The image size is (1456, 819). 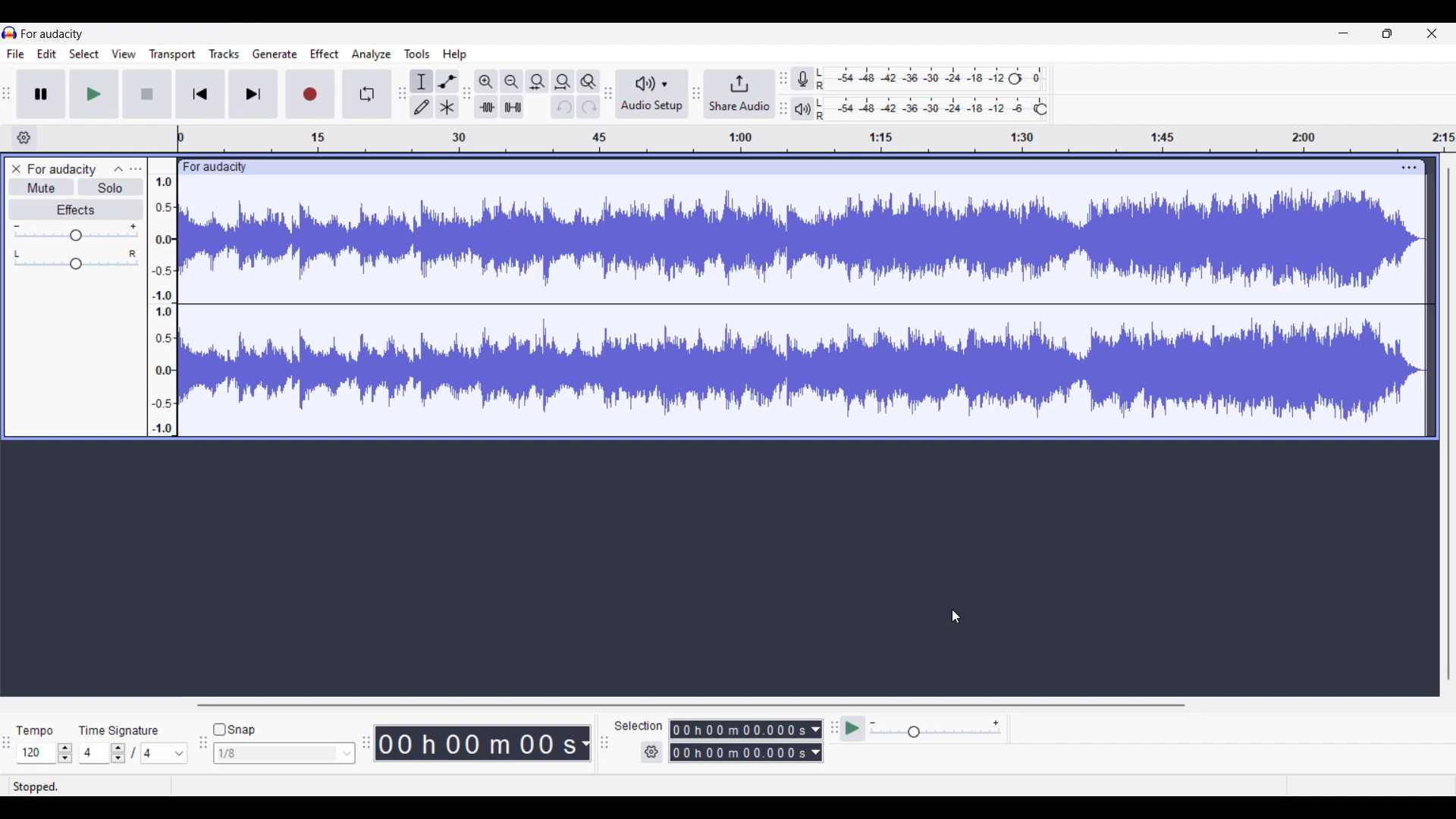 I want to click on Settings, so click(x=651, y=752).